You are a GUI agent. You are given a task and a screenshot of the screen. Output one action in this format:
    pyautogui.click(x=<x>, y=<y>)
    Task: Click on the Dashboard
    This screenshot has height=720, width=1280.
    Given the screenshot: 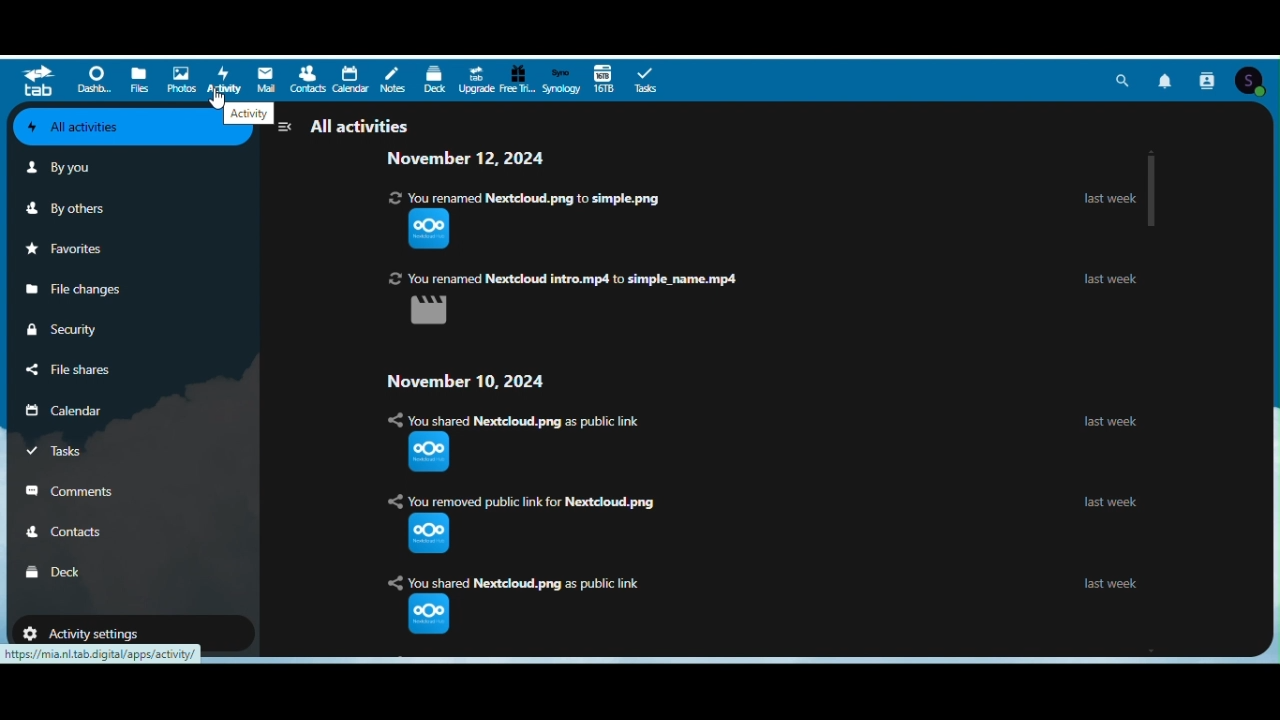 What is the action you would take?
    pyautogui.click(x=91, y=83)
    